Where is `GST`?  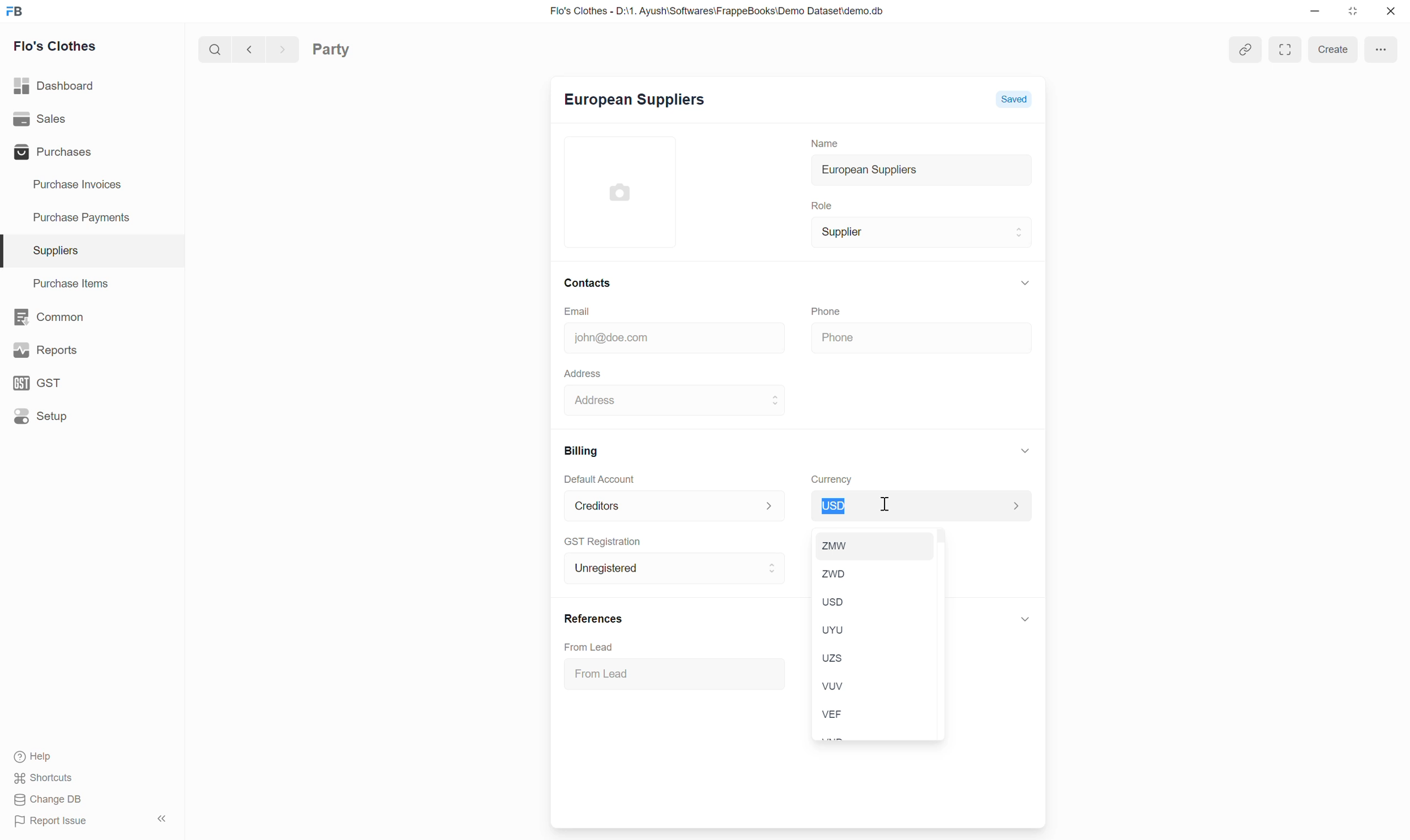
GST is located at coordinates (37, 377).